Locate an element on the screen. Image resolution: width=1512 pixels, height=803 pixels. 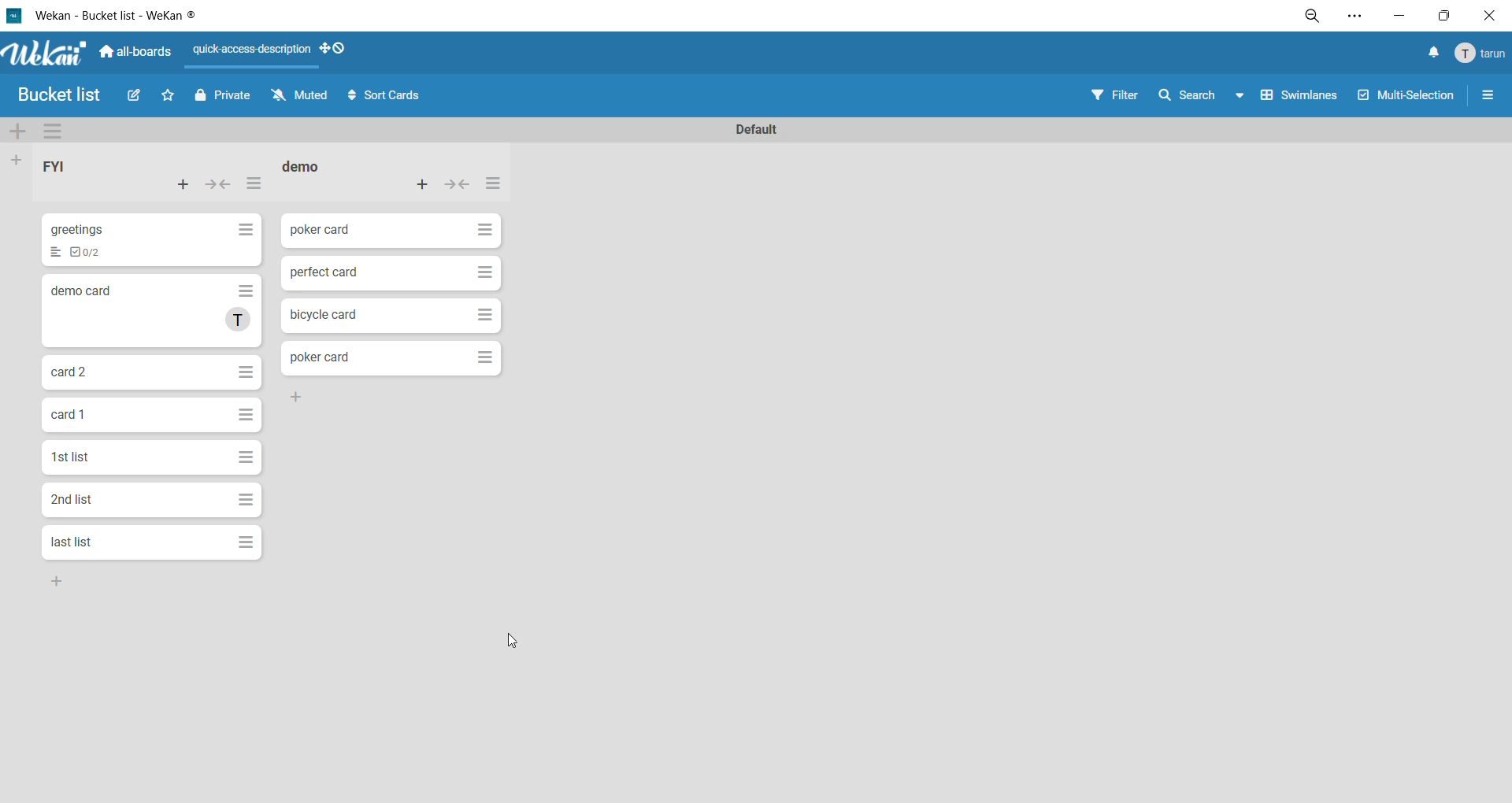
perfect card is located at coordinates (324, 274).